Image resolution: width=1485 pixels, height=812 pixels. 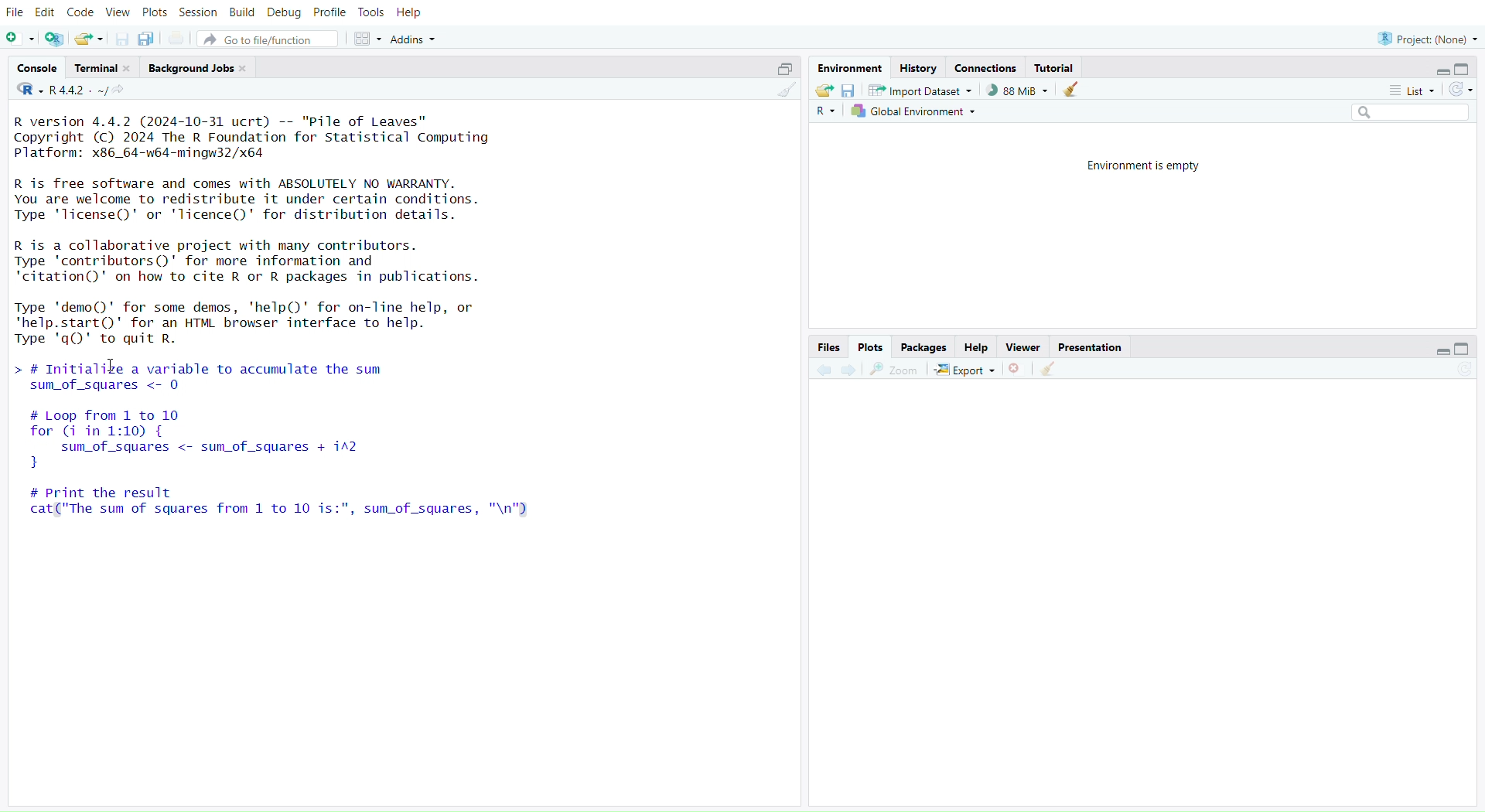 What do you see at coordinates (1018, 369) in the screenshot?
I see `remove current plot` at bounding box center [1018, 369].